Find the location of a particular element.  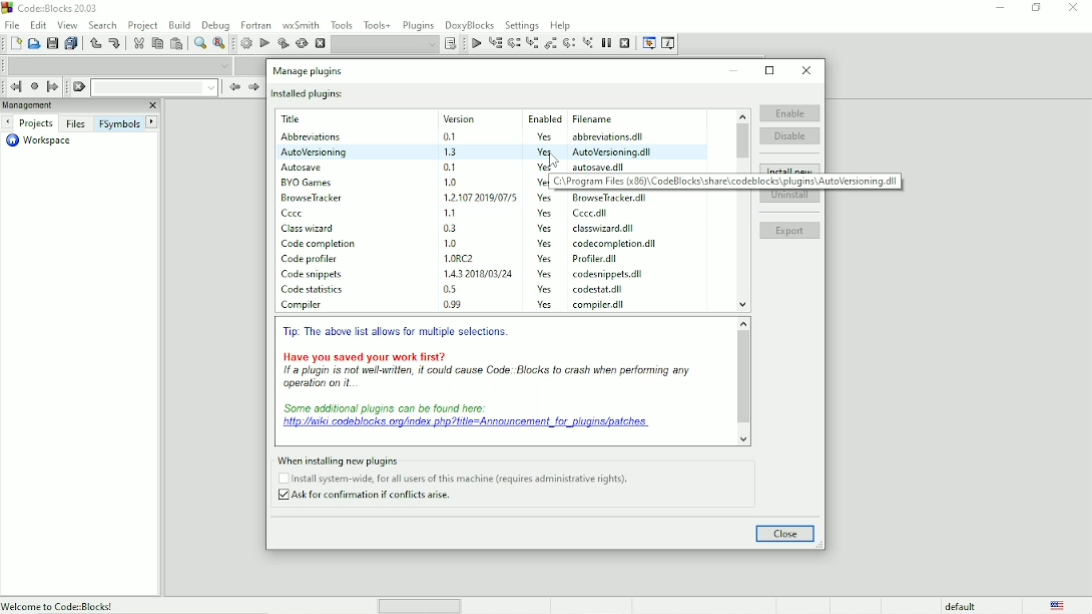

Restore down is located at coordinates (770, 70).